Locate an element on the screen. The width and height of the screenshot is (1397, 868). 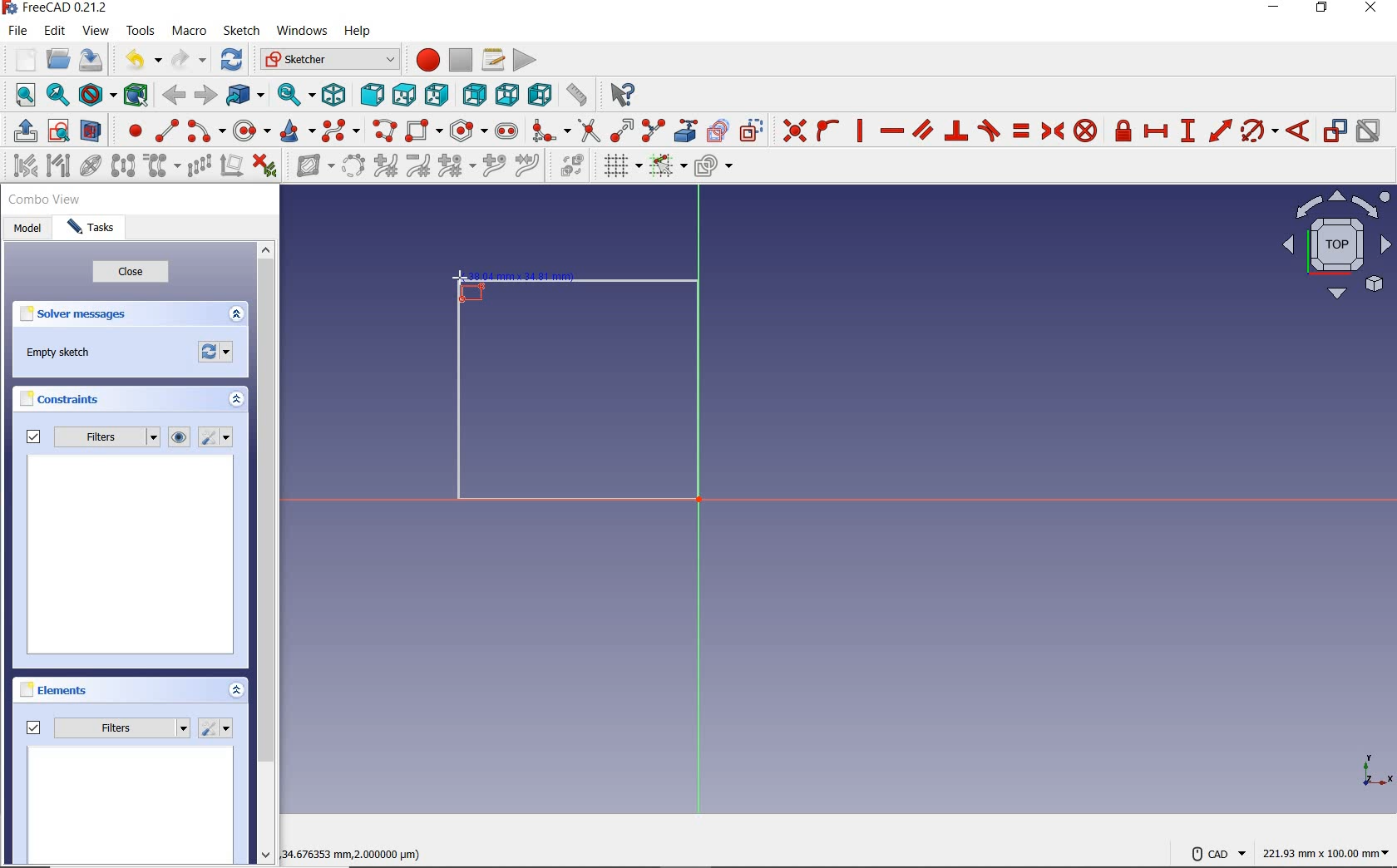
create polyline is located at coordinates (386, 131).